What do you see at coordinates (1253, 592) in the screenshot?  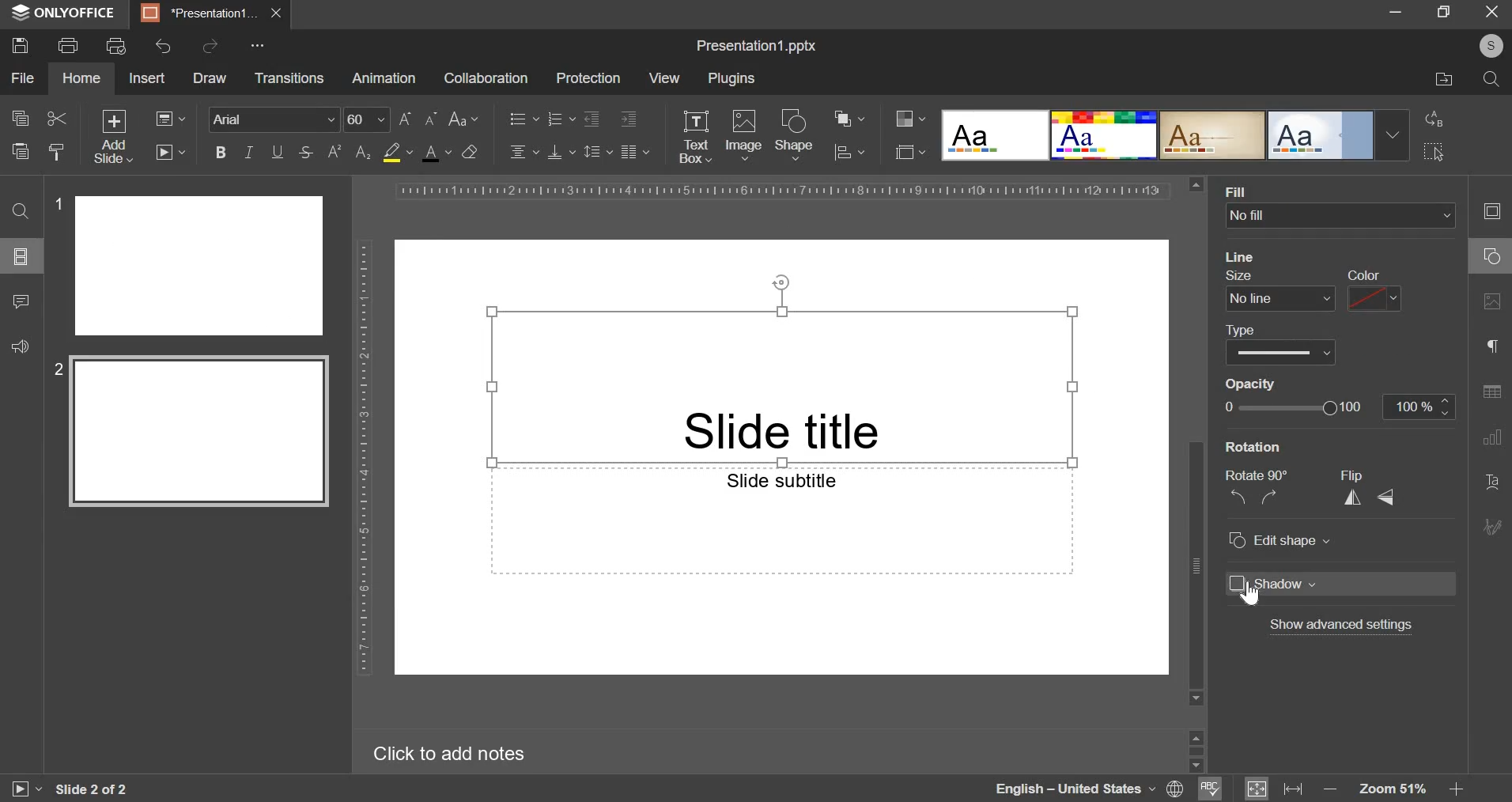 I see `mouse pointer` at bounding box center [1253, 592].